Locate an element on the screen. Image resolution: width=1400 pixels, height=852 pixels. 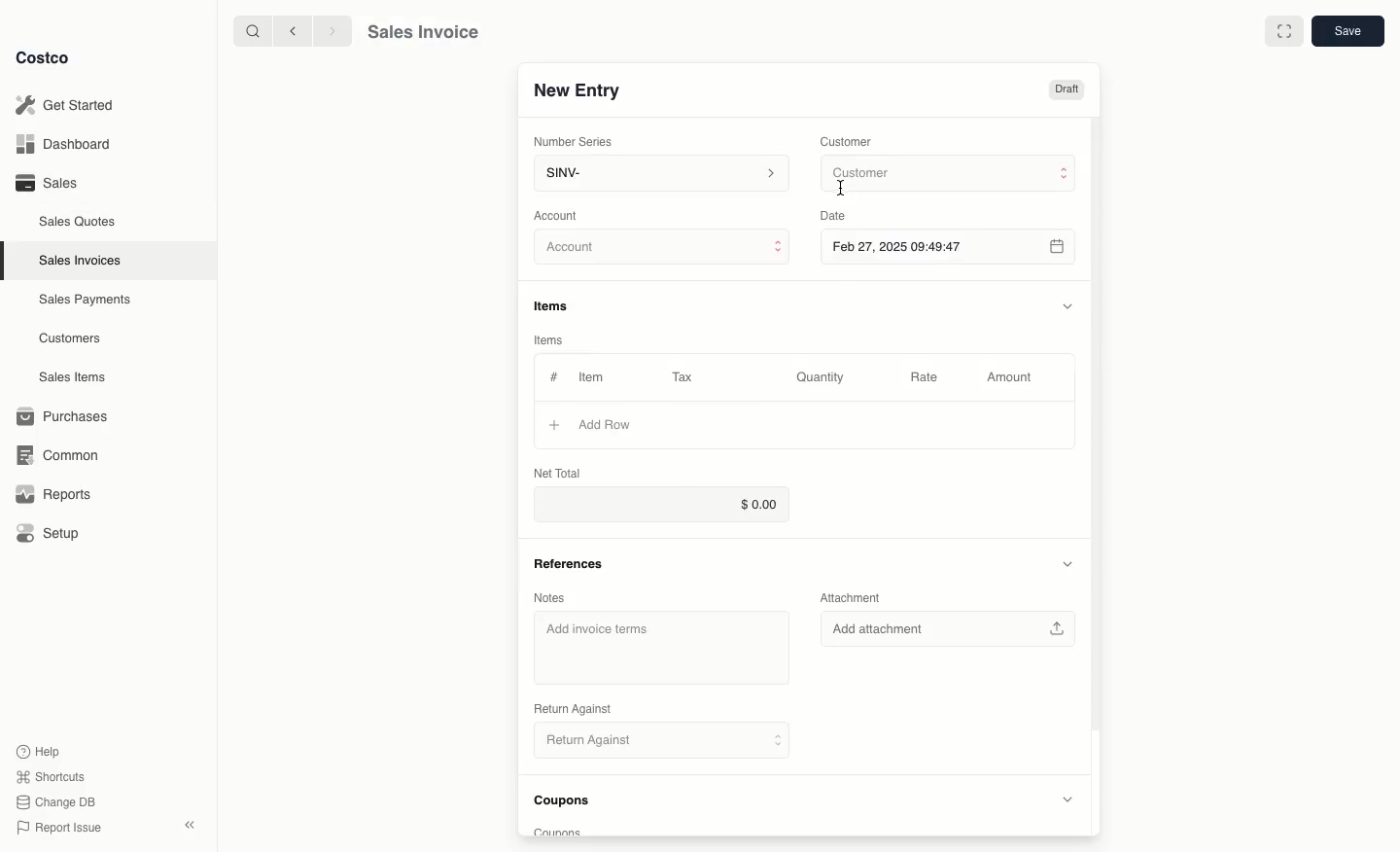
Hashtag is located at coordinates (553, 377).